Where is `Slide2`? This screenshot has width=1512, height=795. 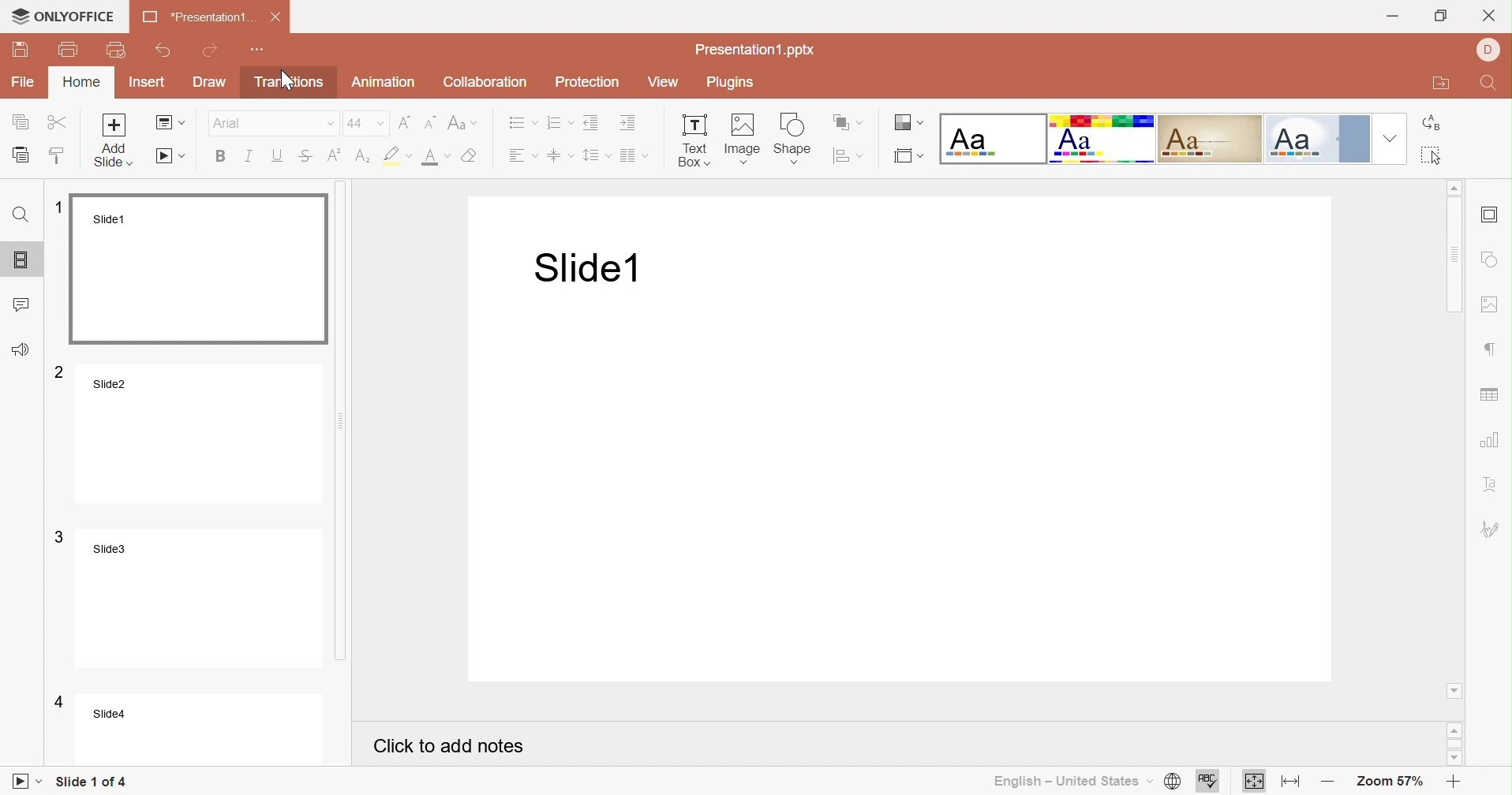
Slide2 is located at coordinates (202, 431).